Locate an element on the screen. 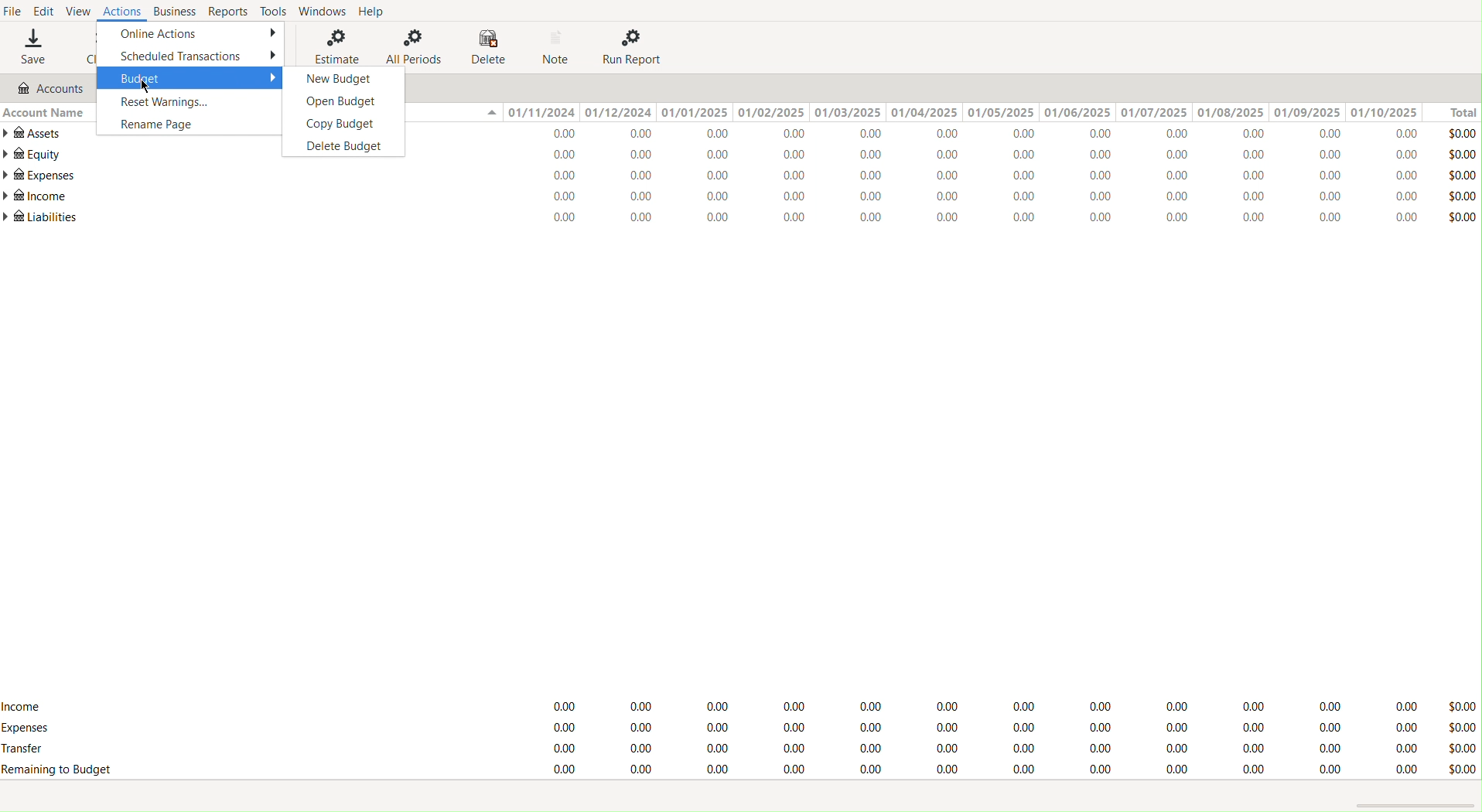  Dates is located at coordinates (964, 112).